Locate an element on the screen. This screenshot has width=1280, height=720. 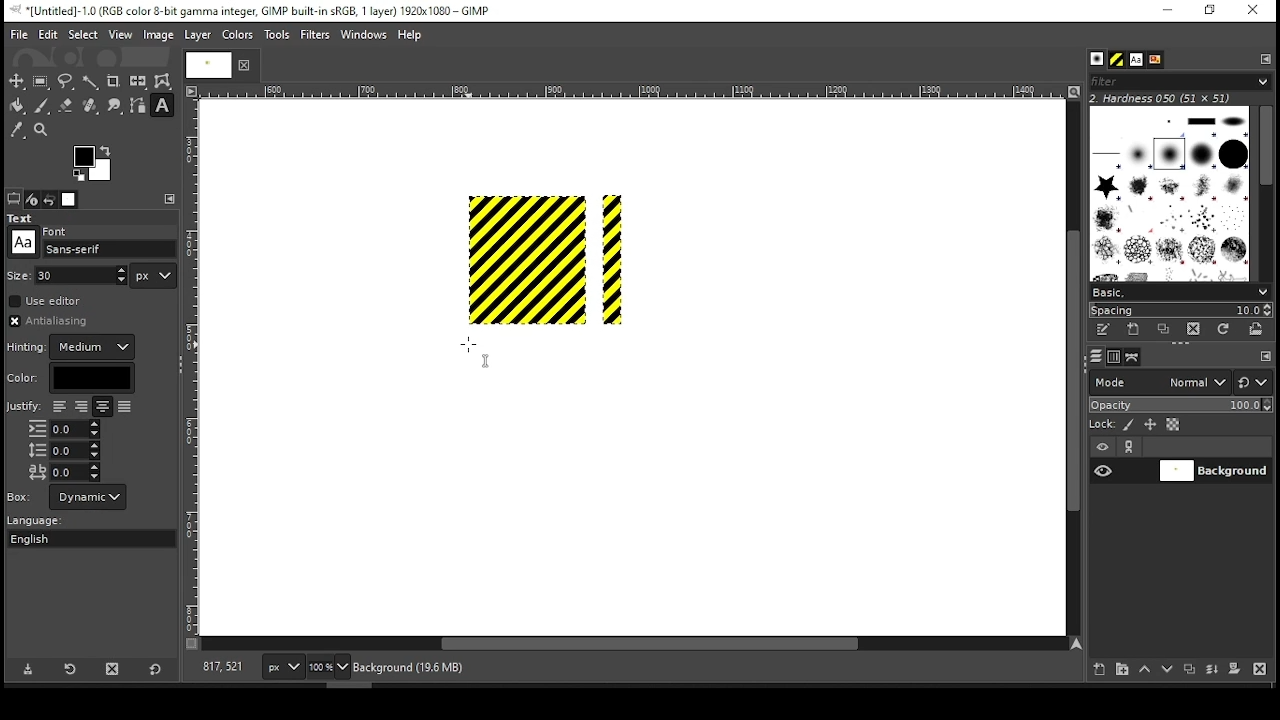
restore tool preset is located at coordinates (72, 667).